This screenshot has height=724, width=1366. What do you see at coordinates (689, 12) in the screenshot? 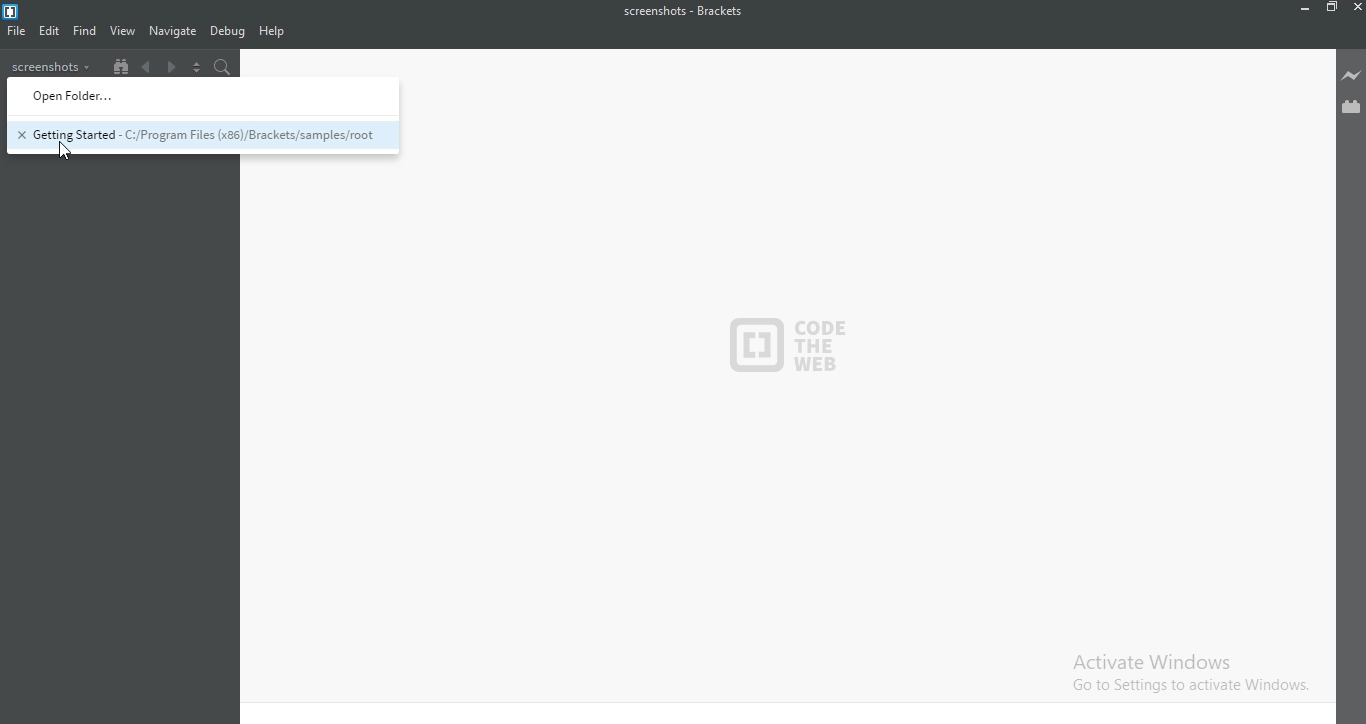
I see `screenshots - Brackets` at bounding box center [689, 12].